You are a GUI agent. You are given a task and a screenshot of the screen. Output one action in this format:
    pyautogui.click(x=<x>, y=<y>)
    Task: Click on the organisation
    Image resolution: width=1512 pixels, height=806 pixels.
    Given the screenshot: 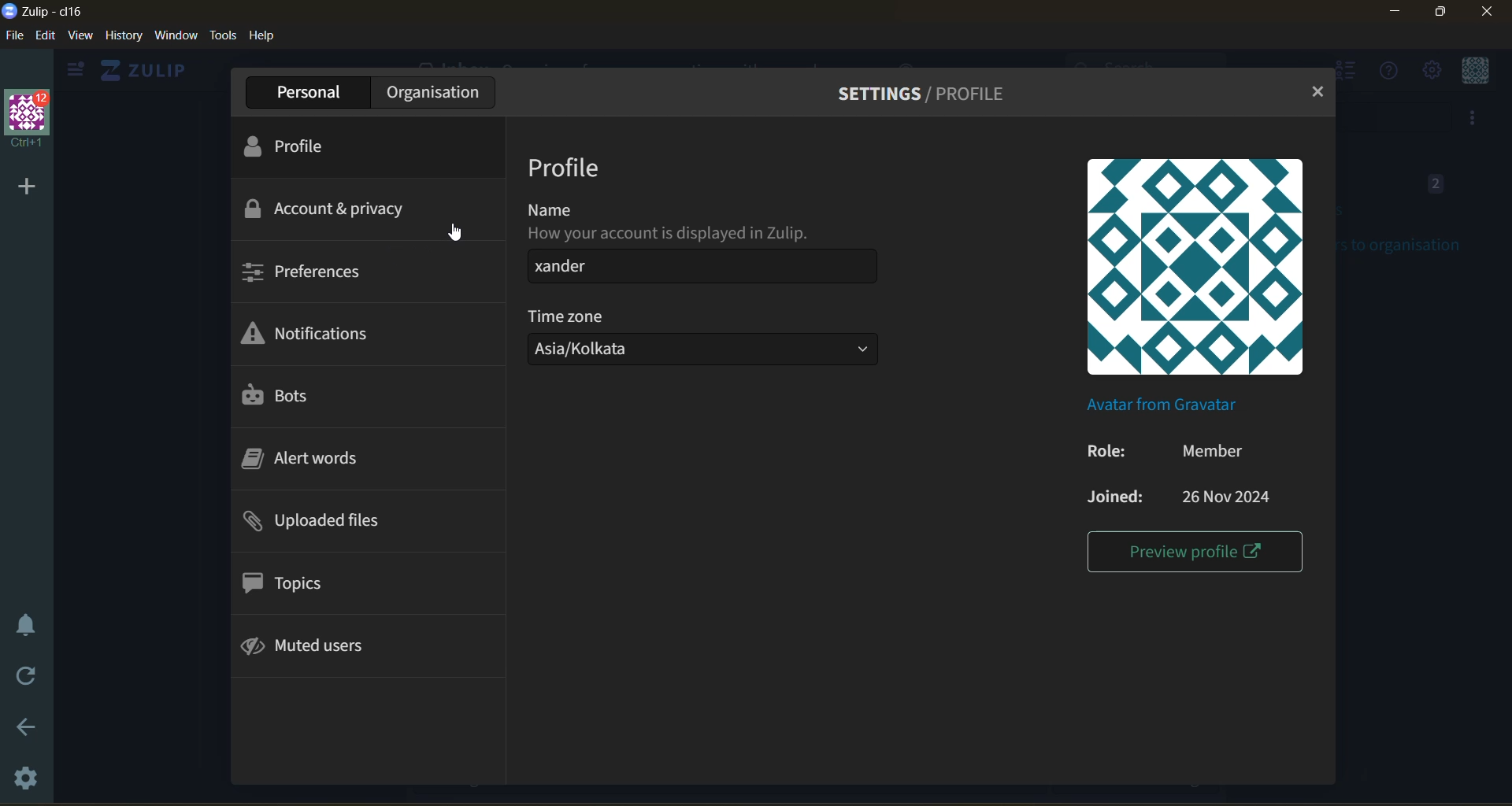 What is the action you would take?
    pyautogui.click(x=432, y=92)
    